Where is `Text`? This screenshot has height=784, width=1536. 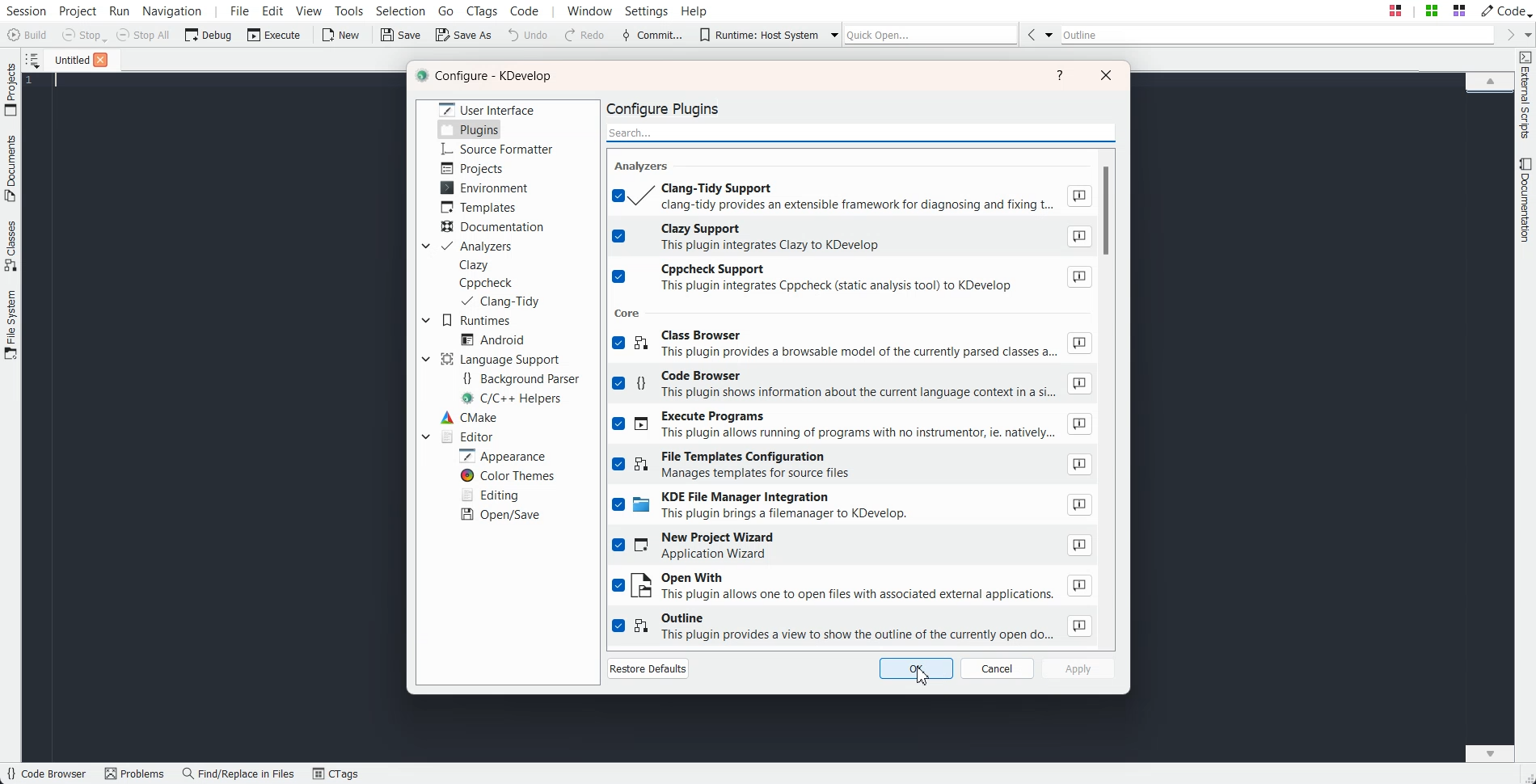
Text is located at coordinates (669, 107).